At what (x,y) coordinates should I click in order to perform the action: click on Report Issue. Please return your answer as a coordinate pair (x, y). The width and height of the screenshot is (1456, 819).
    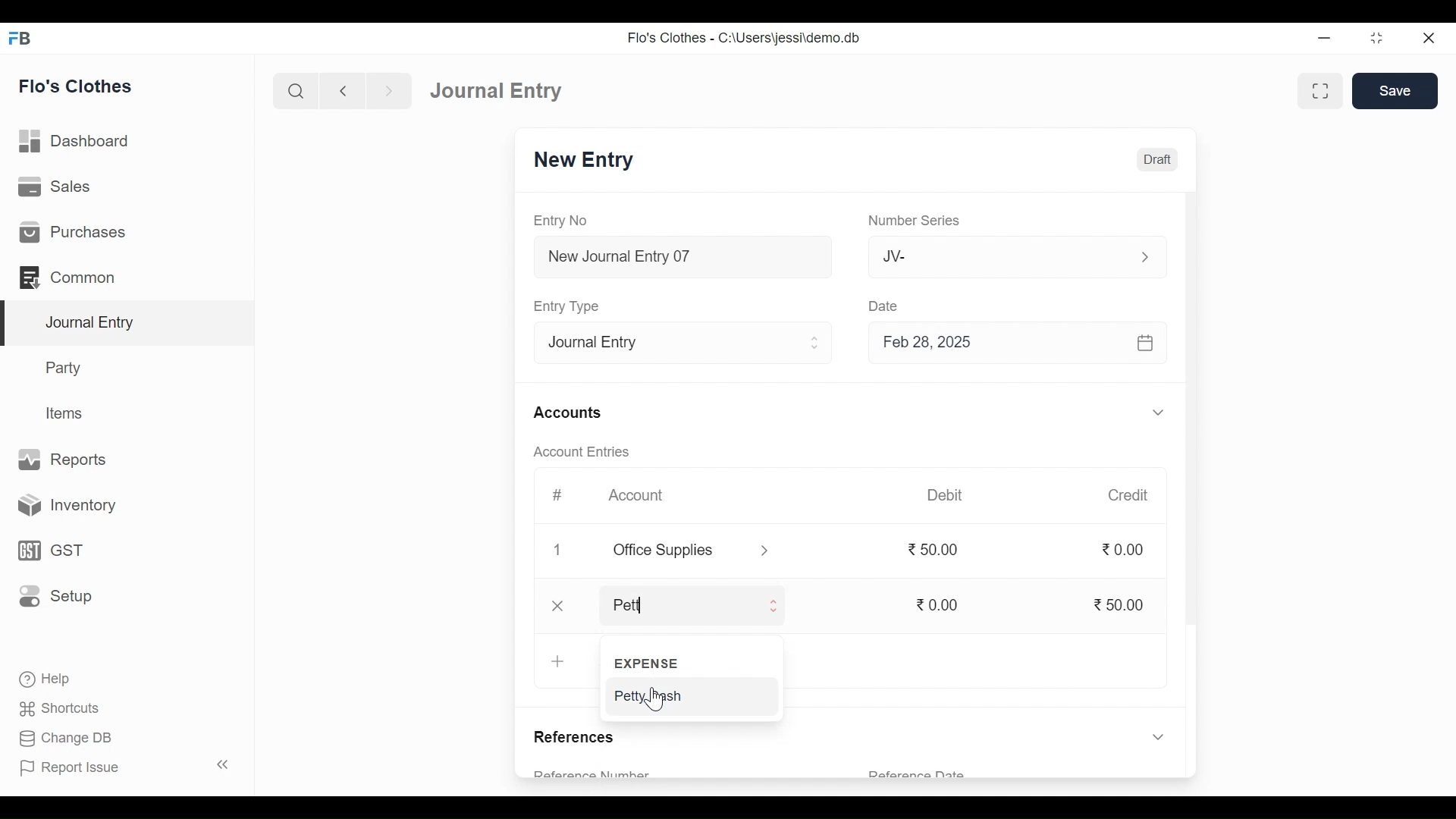
    Looking at the image, I should click on (69, 767).